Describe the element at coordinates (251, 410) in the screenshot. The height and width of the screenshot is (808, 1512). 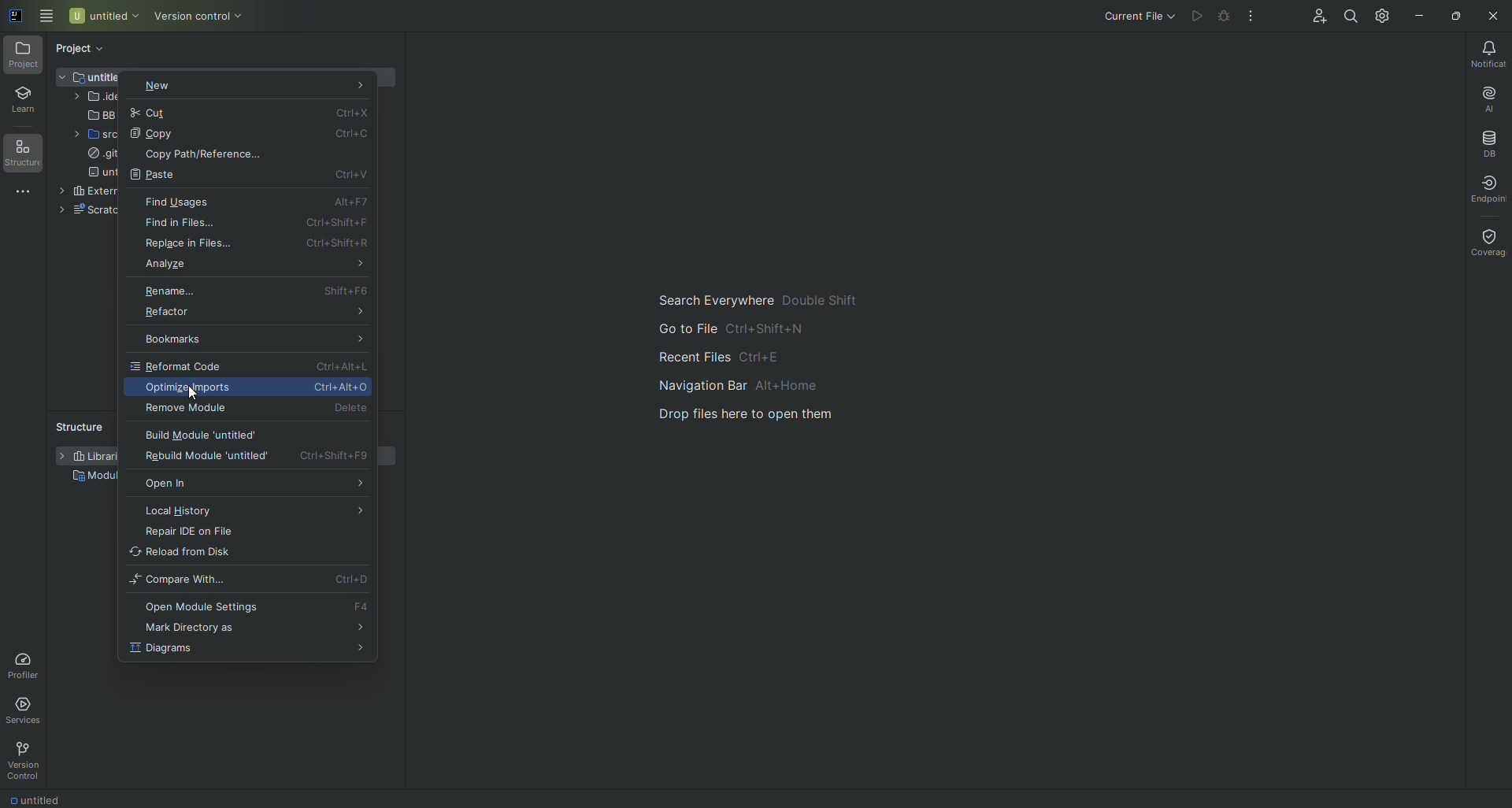
I see `Remove Module` at that location.